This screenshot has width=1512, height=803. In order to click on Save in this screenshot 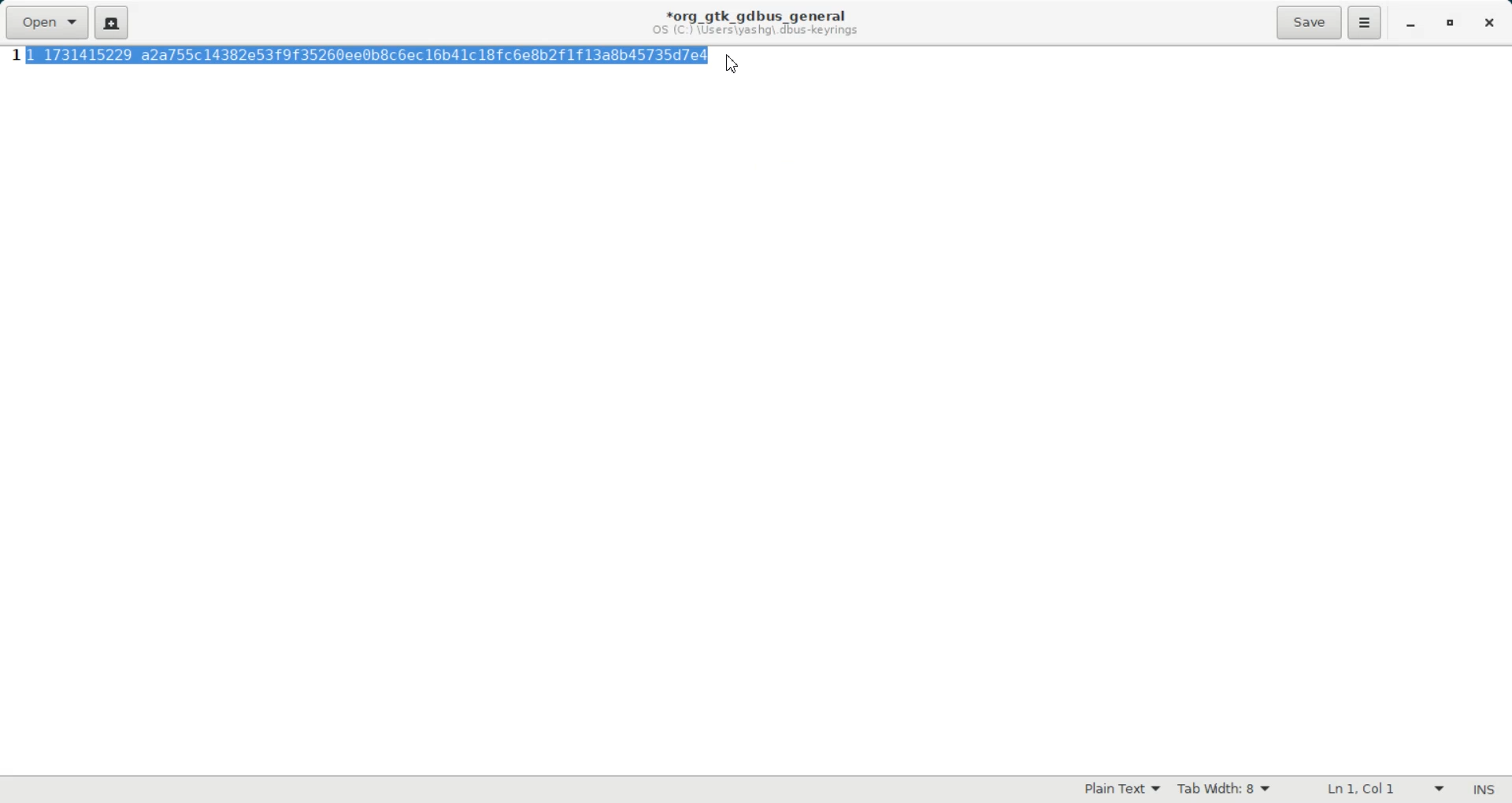, I will do `click(1308, 22)`.